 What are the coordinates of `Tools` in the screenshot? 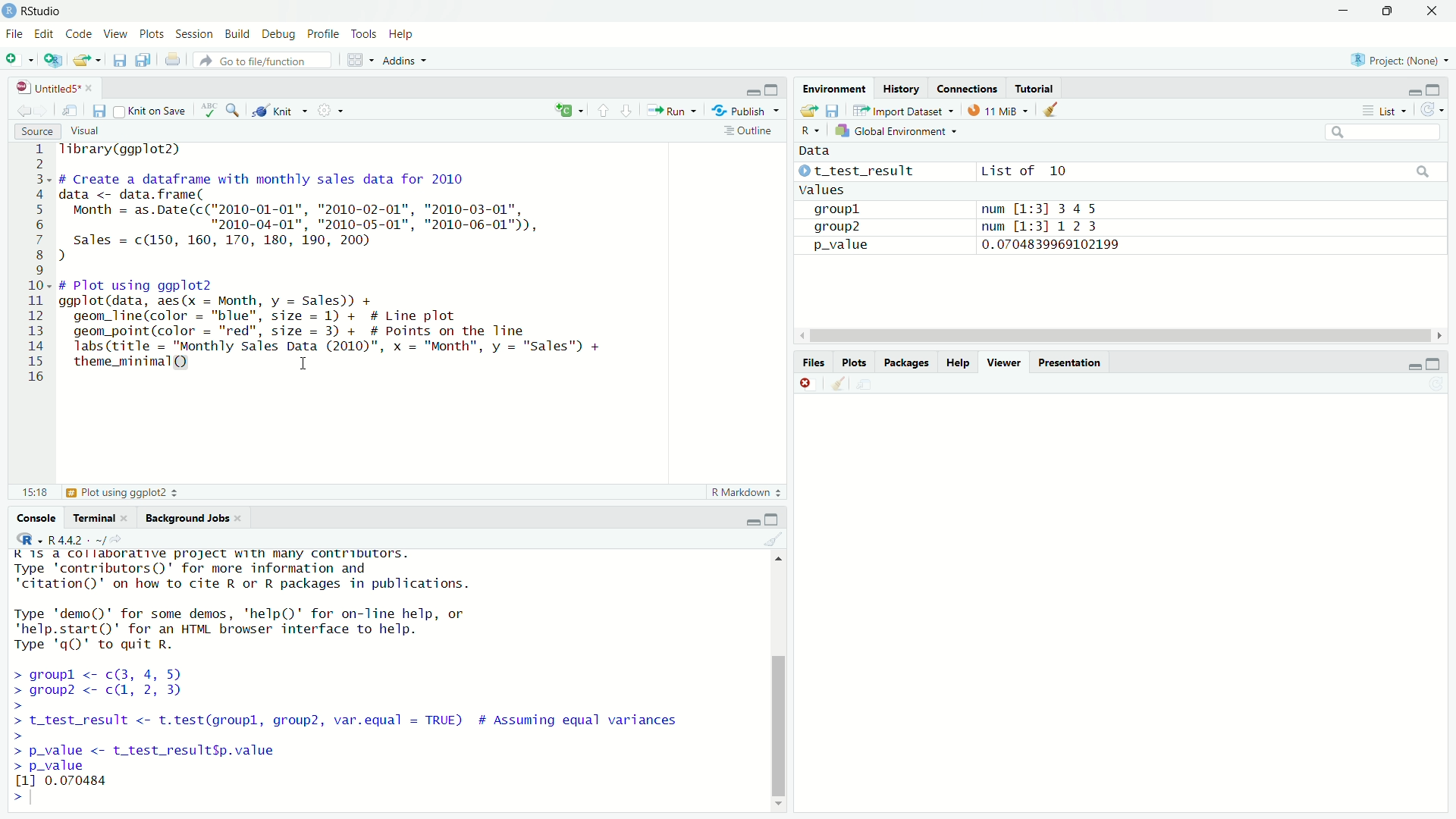 It's located at (364, 31).